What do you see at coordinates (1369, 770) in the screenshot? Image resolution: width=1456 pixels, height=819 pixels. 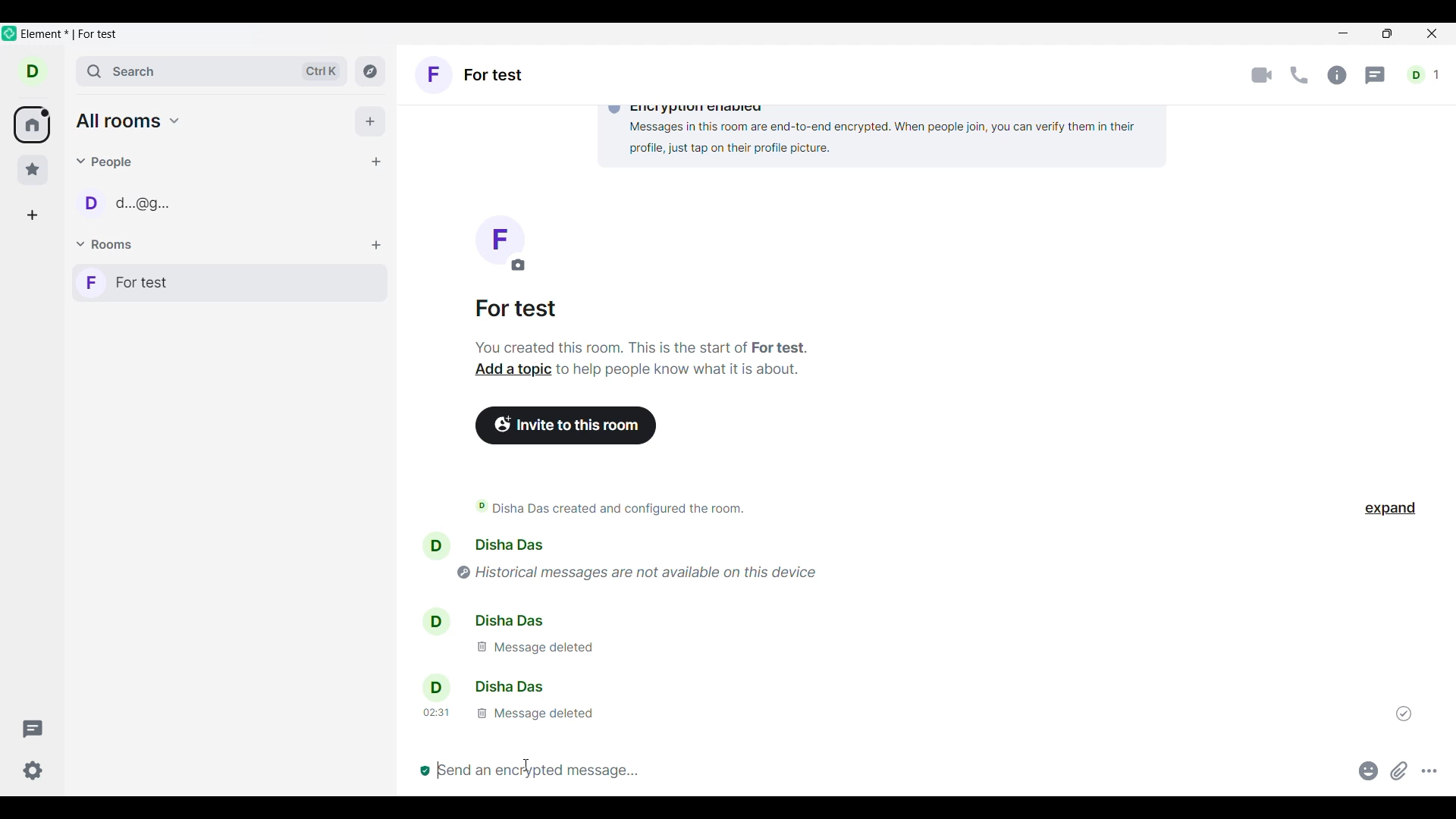 I see `Add emoji` at bounding box center [1369, 770].